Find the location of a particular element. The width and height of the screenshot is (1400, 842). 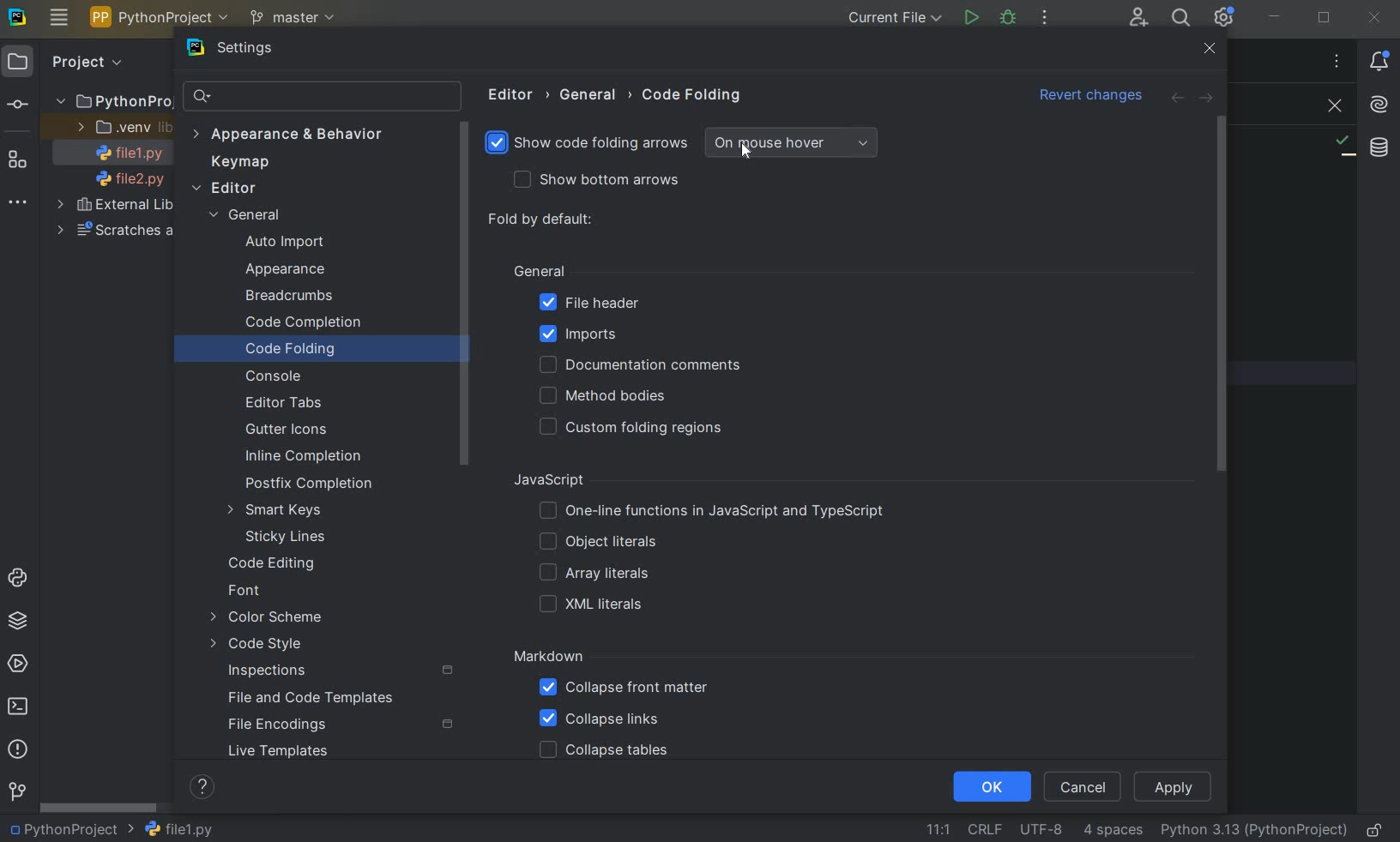

EDITOR is located at coordinates (226, 189).